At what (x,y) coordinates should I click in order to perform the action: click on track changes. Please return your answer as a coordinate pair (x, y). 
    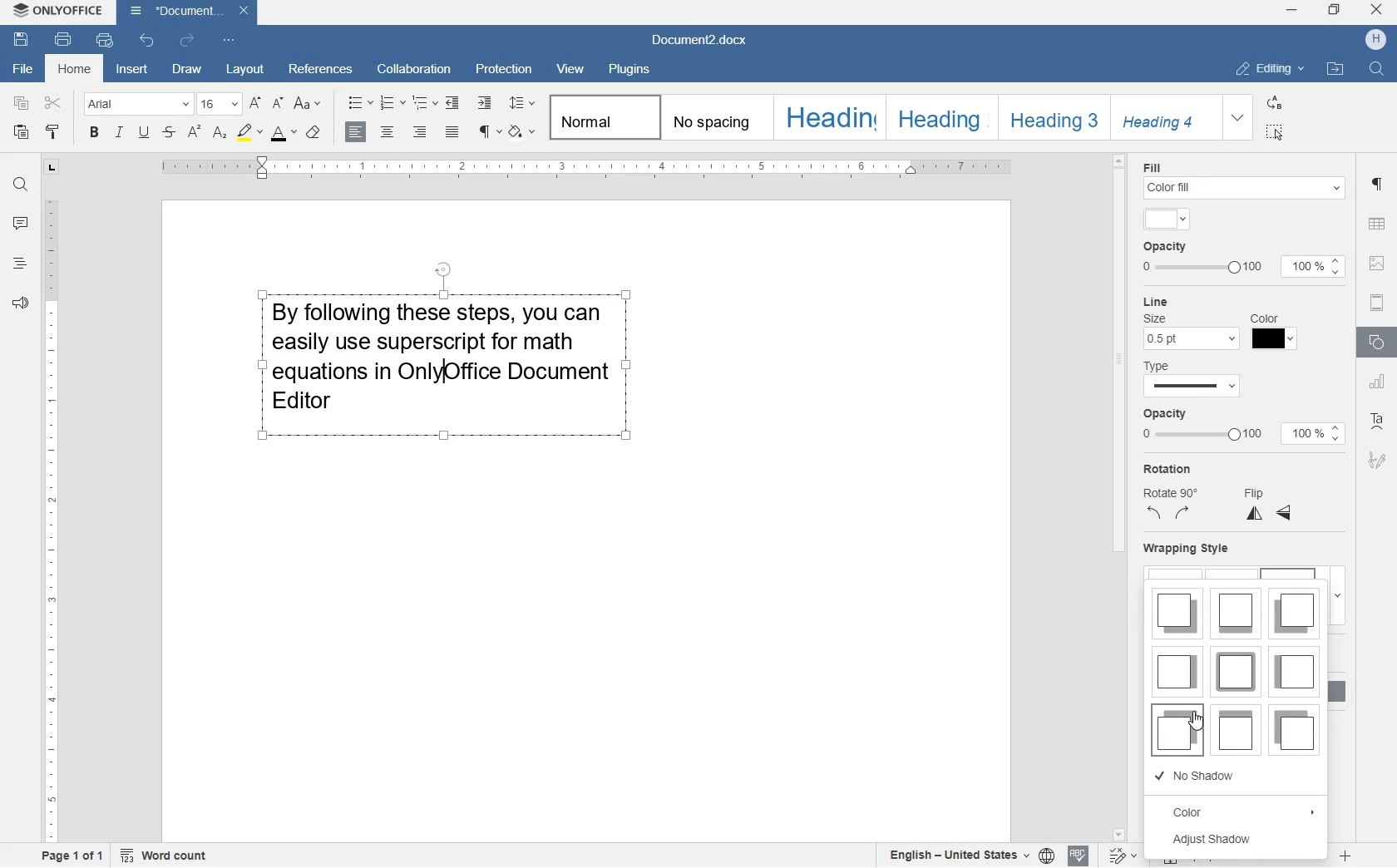
    Looking at the image, I should click on (1124, 855).